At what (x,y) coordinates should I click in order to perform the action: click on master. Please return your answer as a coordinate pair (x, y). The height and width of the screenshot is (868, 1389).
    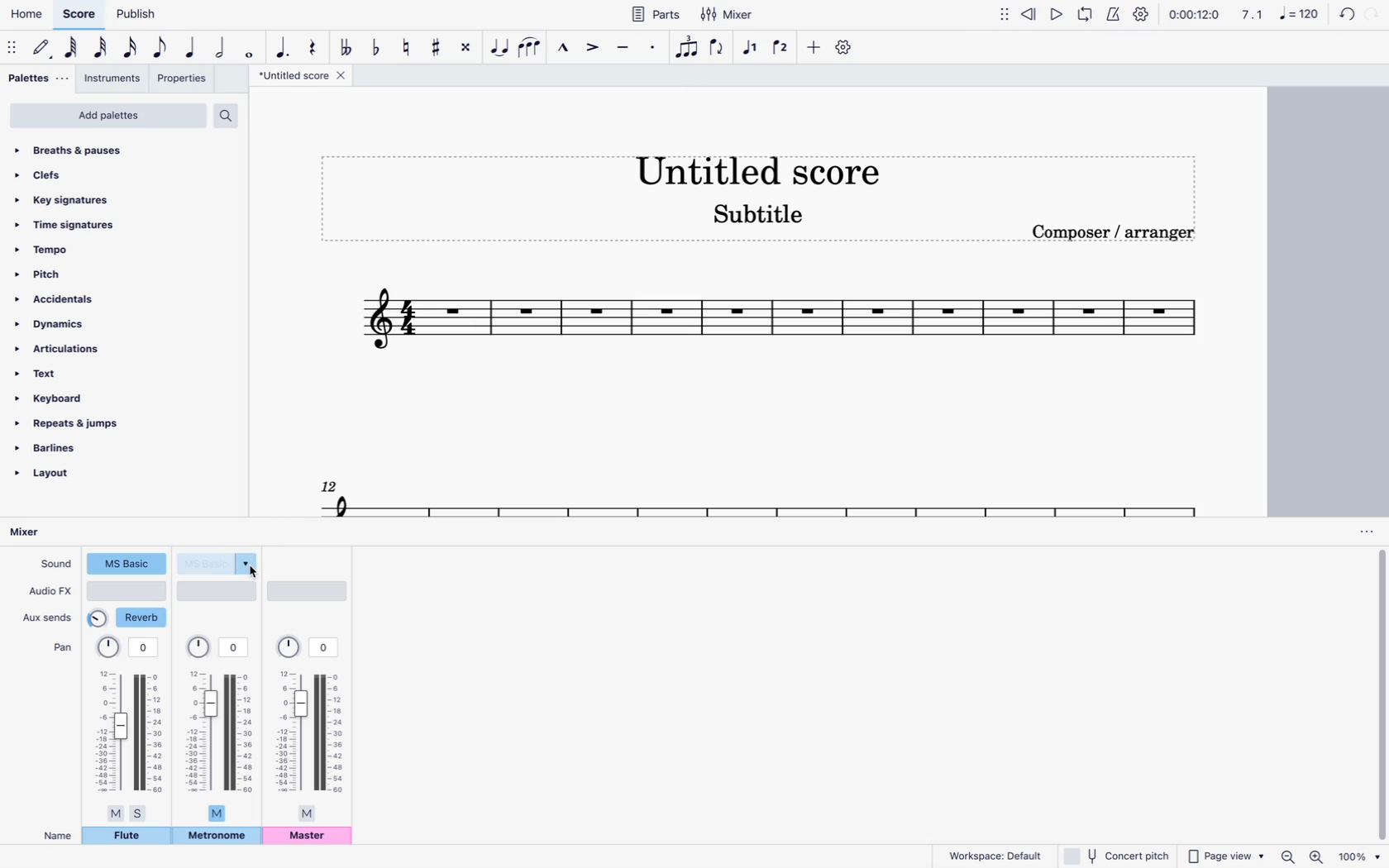
    Looking at the image, I should click on (311, 838).